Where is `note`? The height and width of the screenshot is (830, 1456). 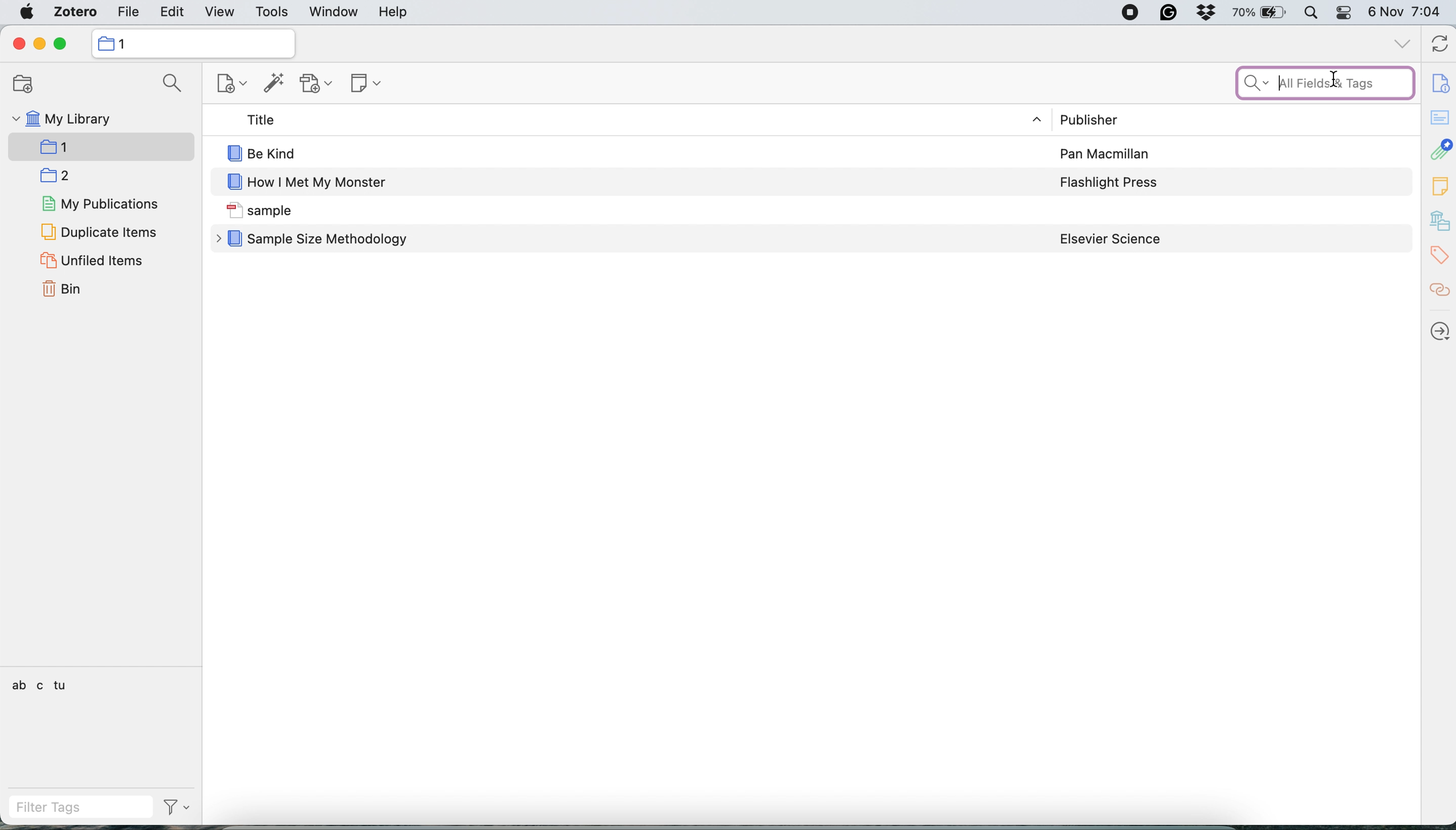 note is located at coordinates (365, 85).